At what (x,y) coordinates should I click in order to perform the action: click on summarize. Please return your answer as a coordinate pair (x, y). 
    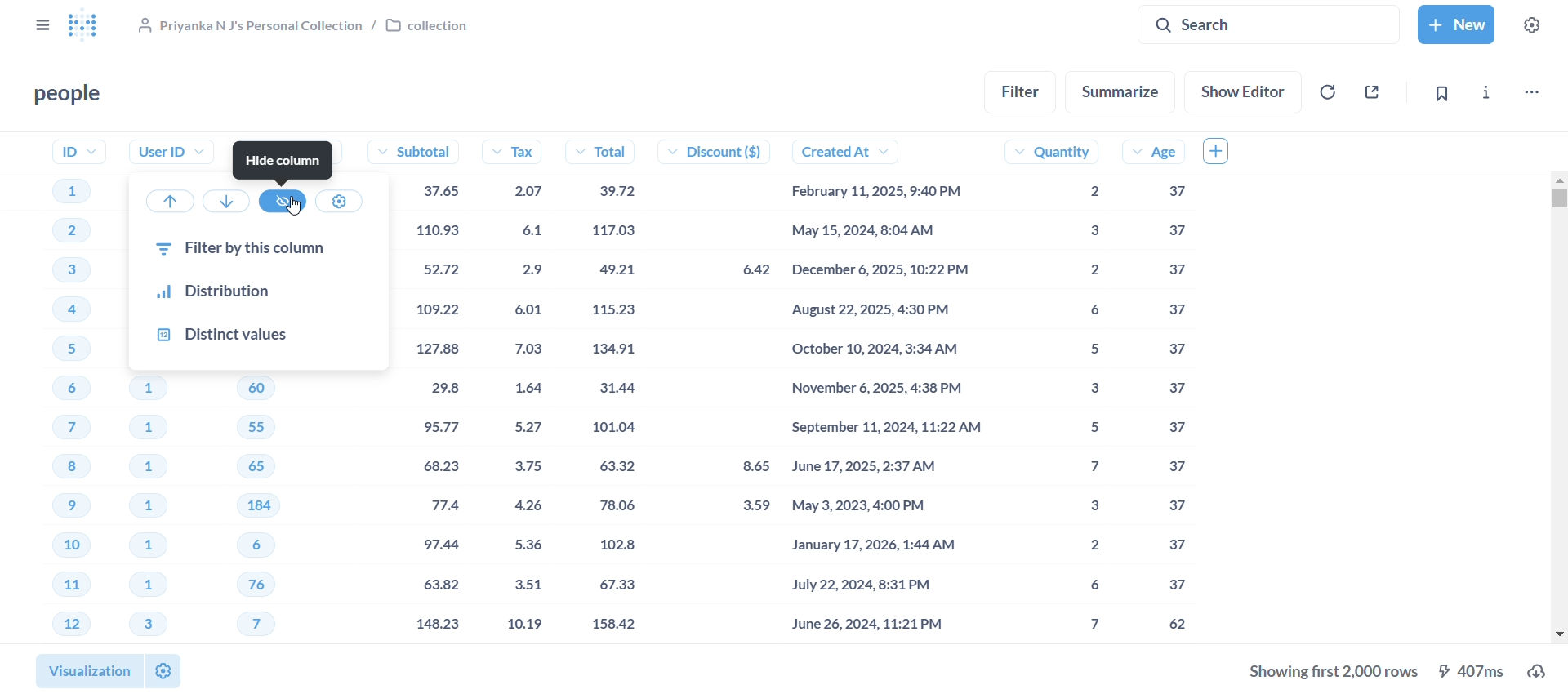
    Looking at the image, I should click on (1119, 90).